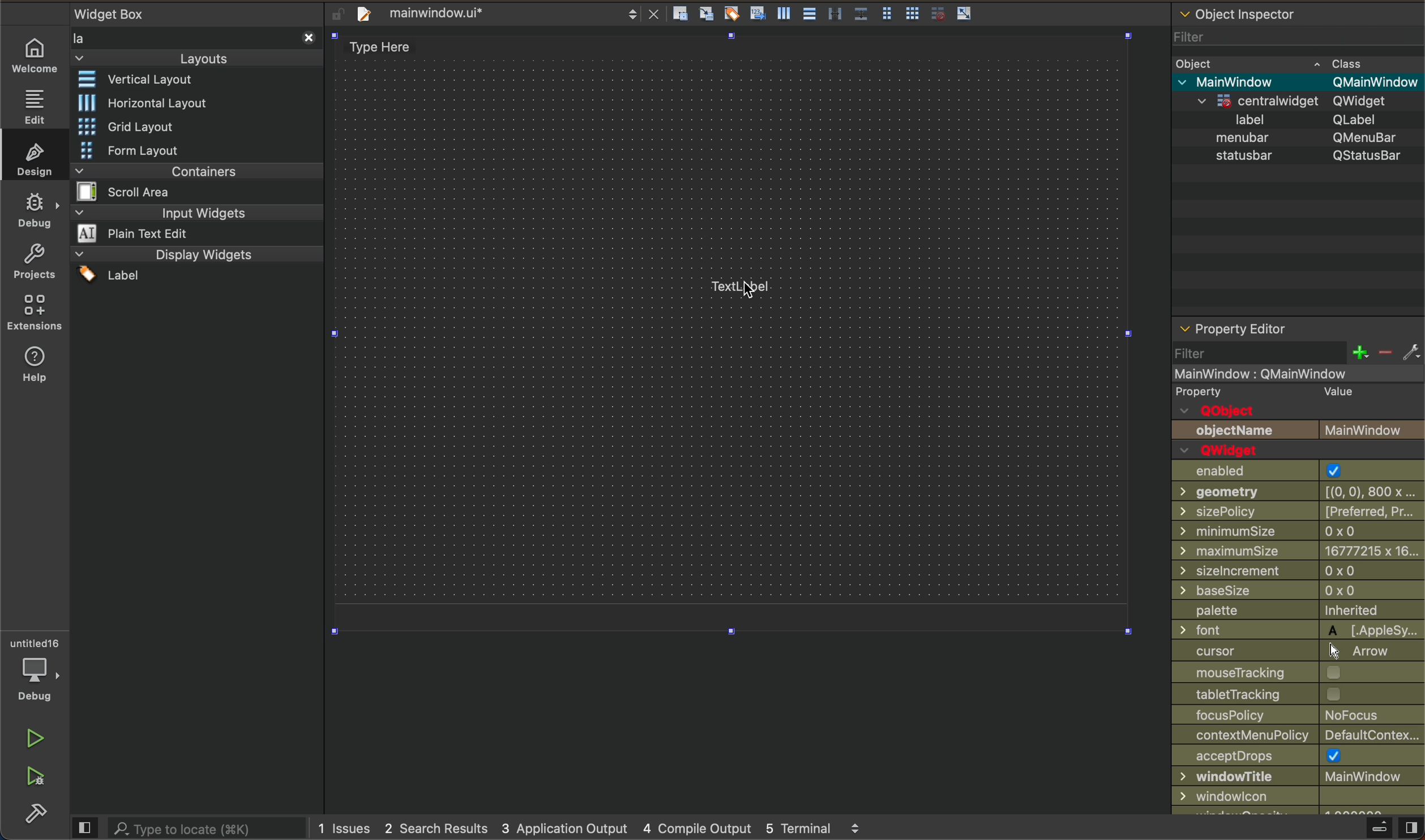 The width and height of the screenshot is (1425, 840). Describe the element at coordinates (1288, 715) in the screenshot. I see `focus` at that location.